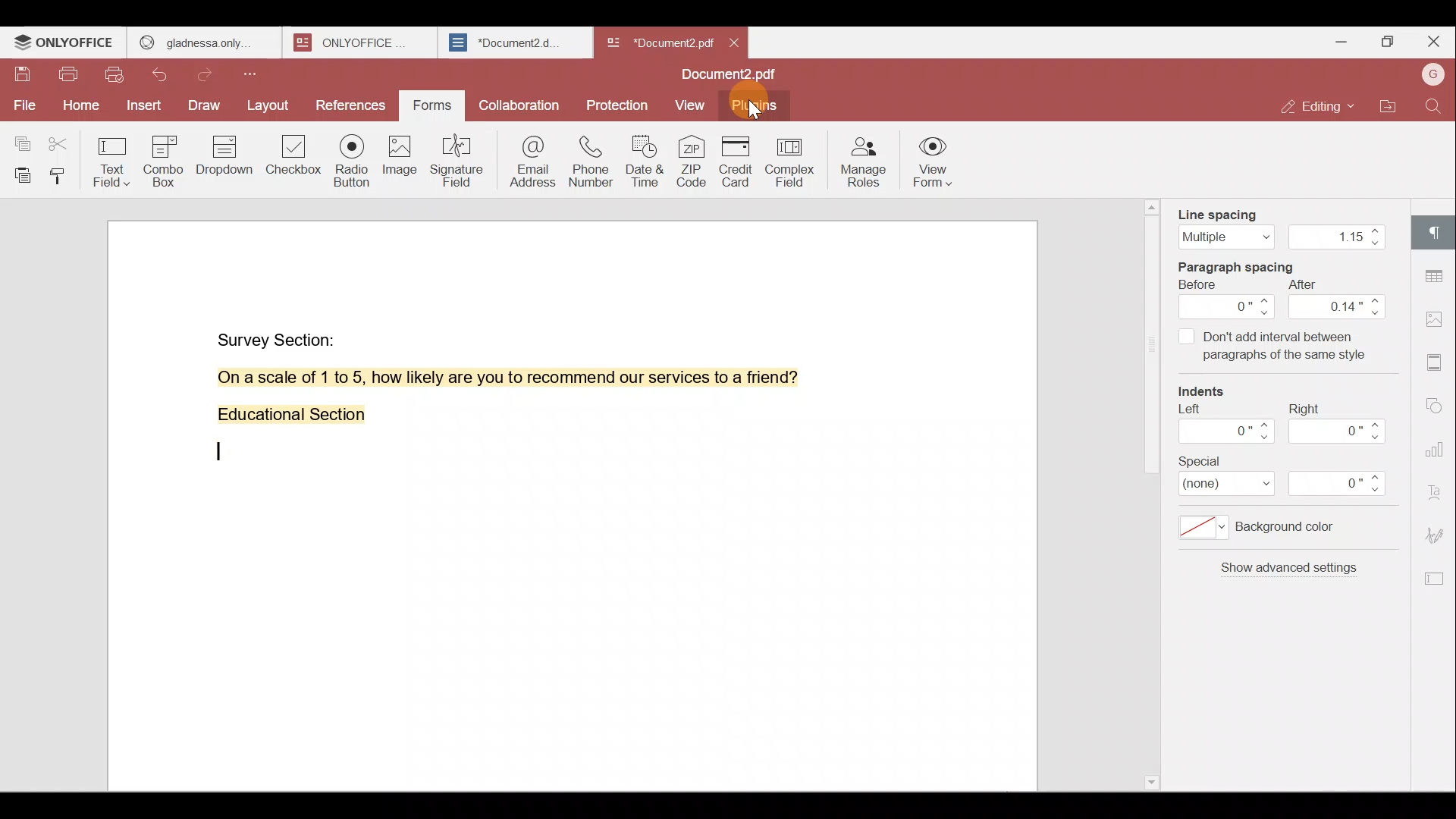 This screenshot has width=1456, height=819. I want to click on Image, so click(398, 159).